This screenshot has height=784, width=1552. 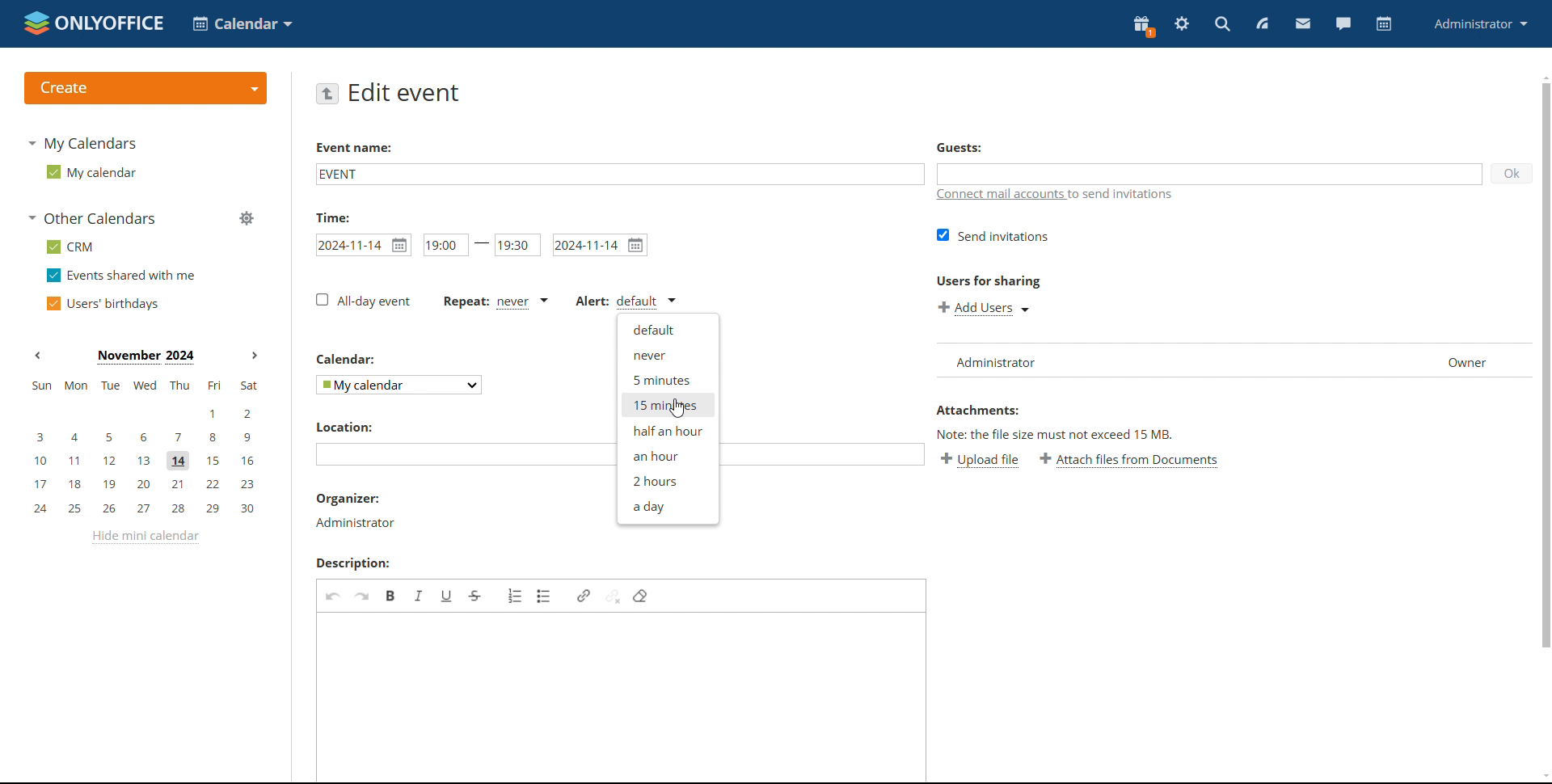 I want to click on remove format, so click(x=641, y=596).